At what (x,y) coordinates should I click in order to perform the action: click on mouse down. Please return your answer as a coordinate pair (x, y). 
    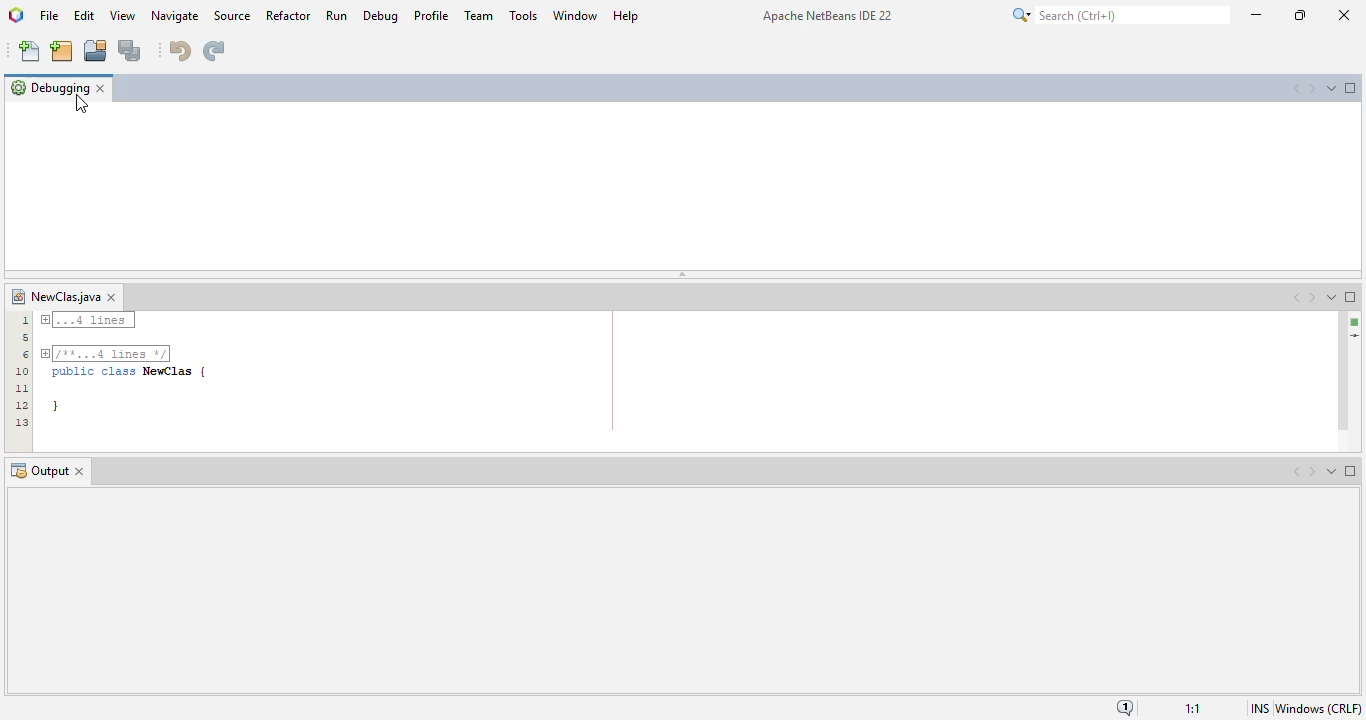
    Looking at the image, I should click on (82, 104).